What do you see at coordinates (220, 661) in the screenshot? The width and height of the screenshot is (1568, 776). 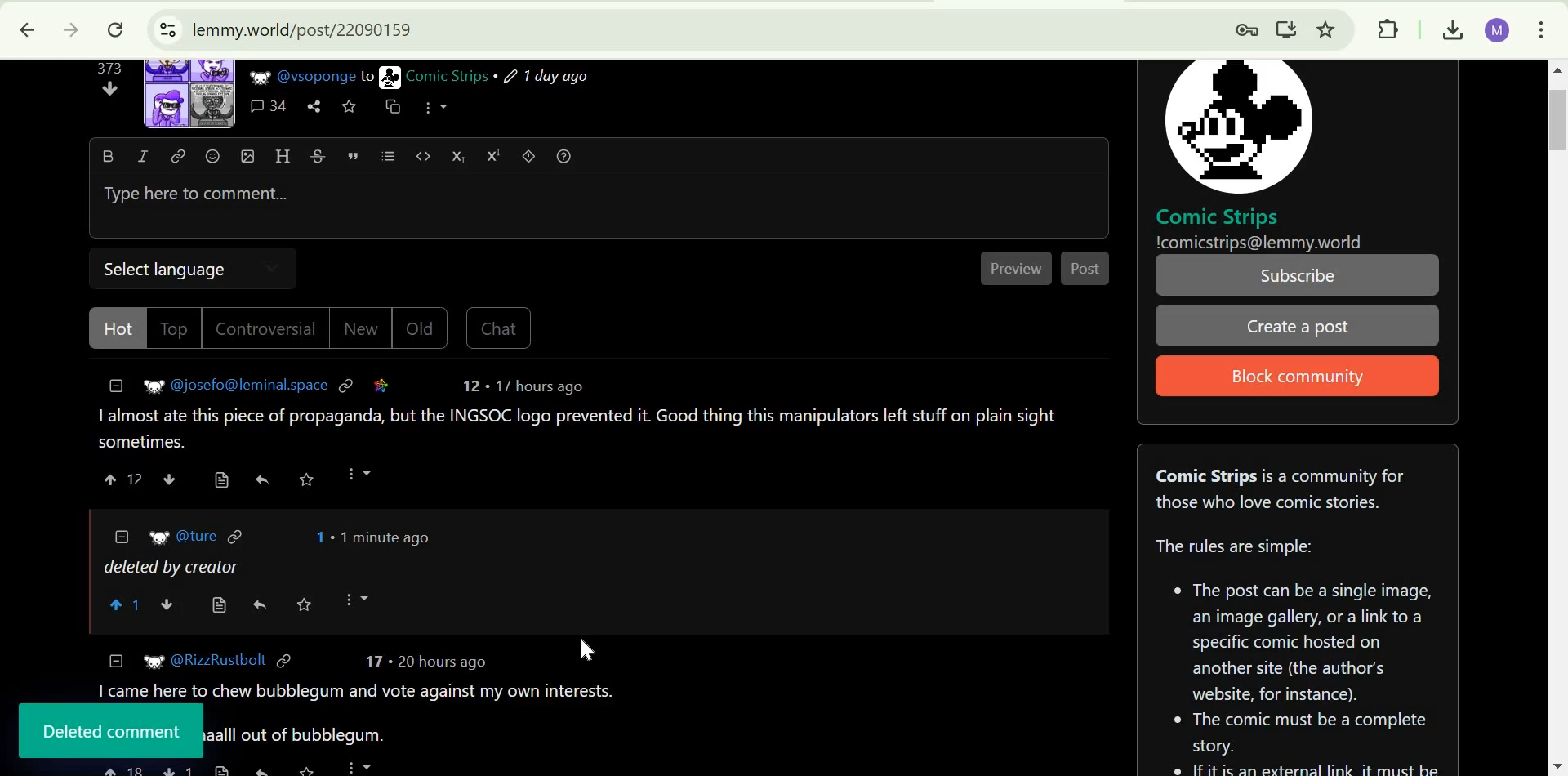 I see `@RizzRustbolt` at bounding box center [220, 661].